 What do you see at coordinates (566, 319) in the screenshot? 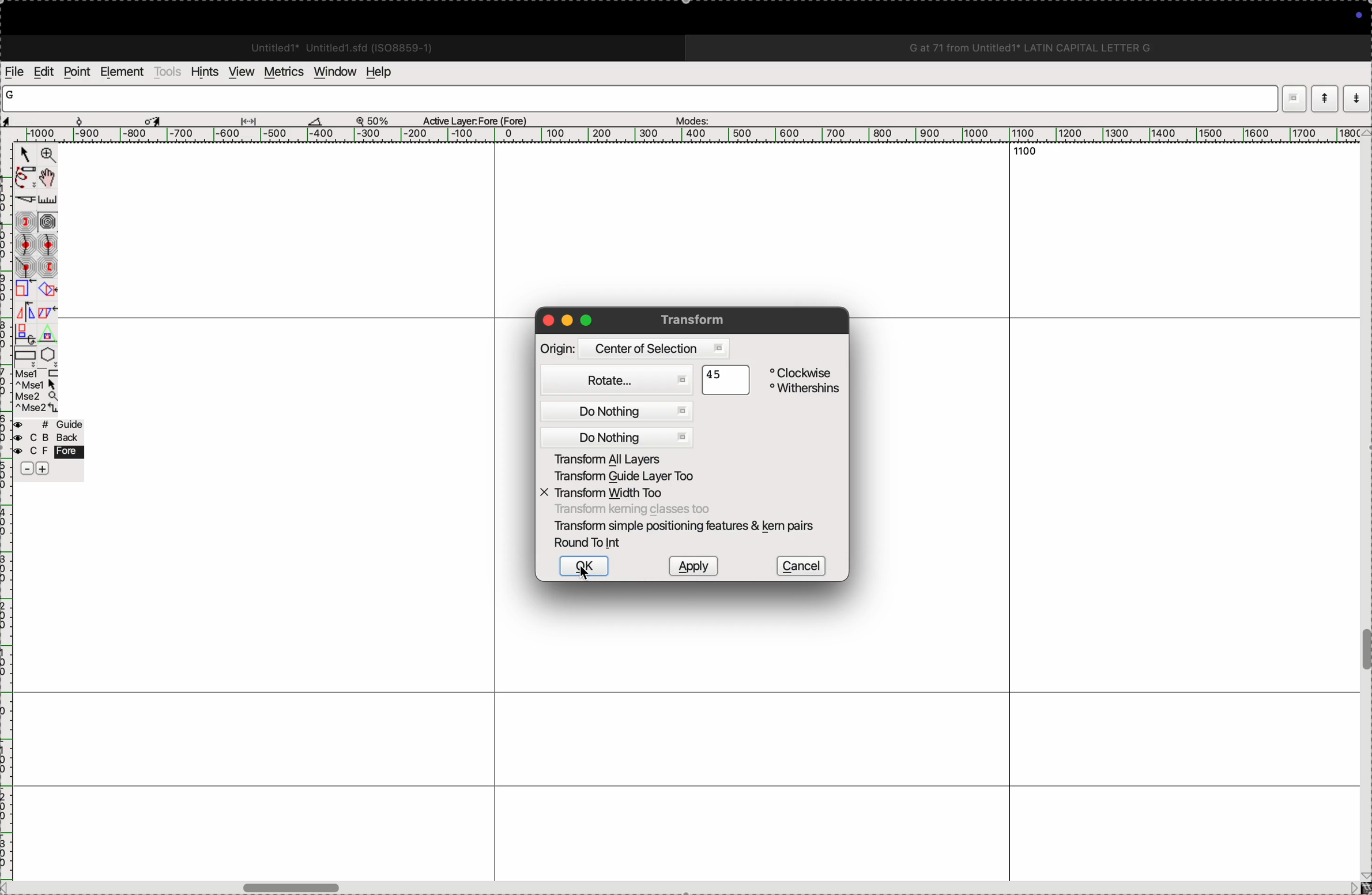
I see `minimize` at bounding box center [566, 319].